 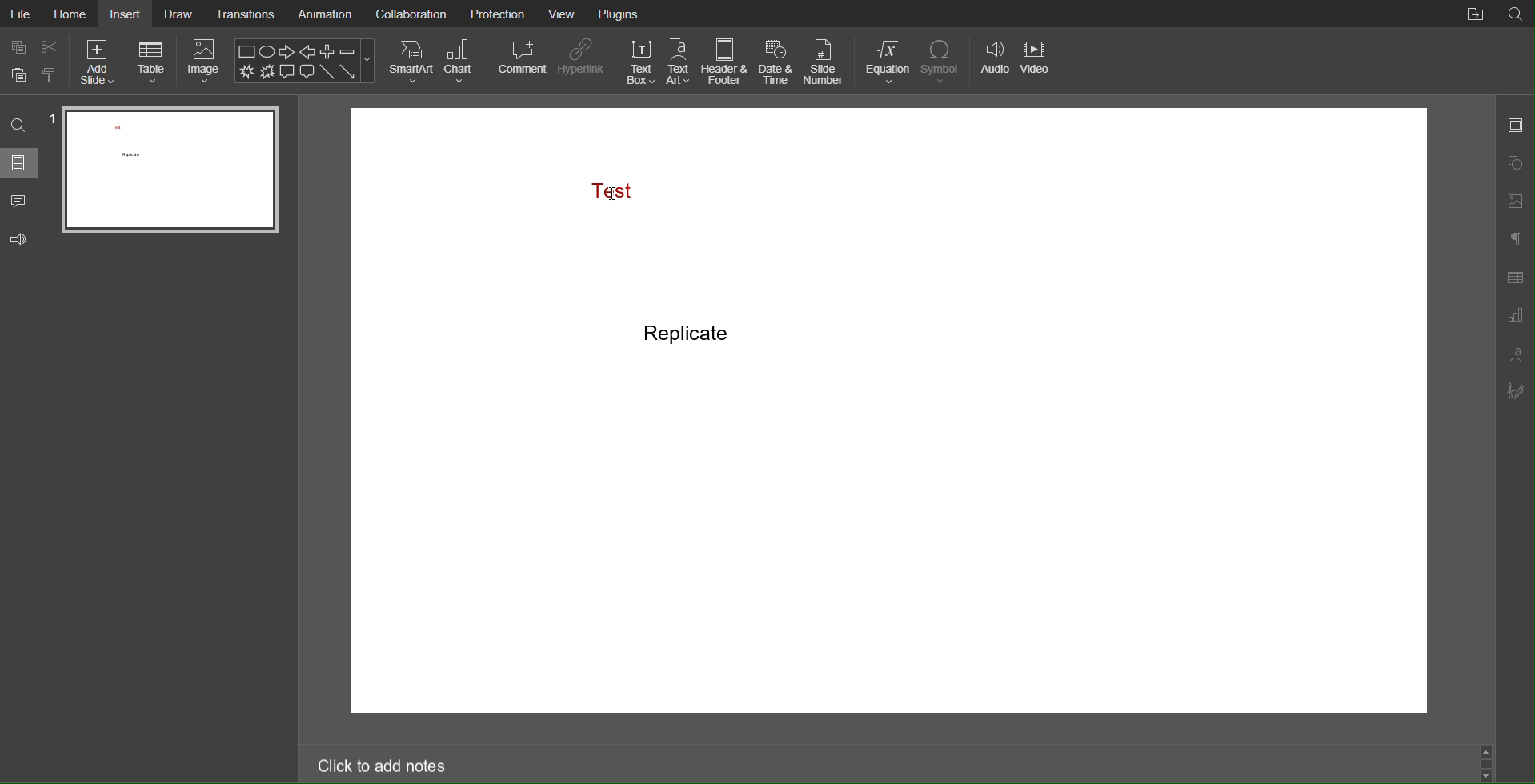 I want to click on File, so click(x=21, y=13).